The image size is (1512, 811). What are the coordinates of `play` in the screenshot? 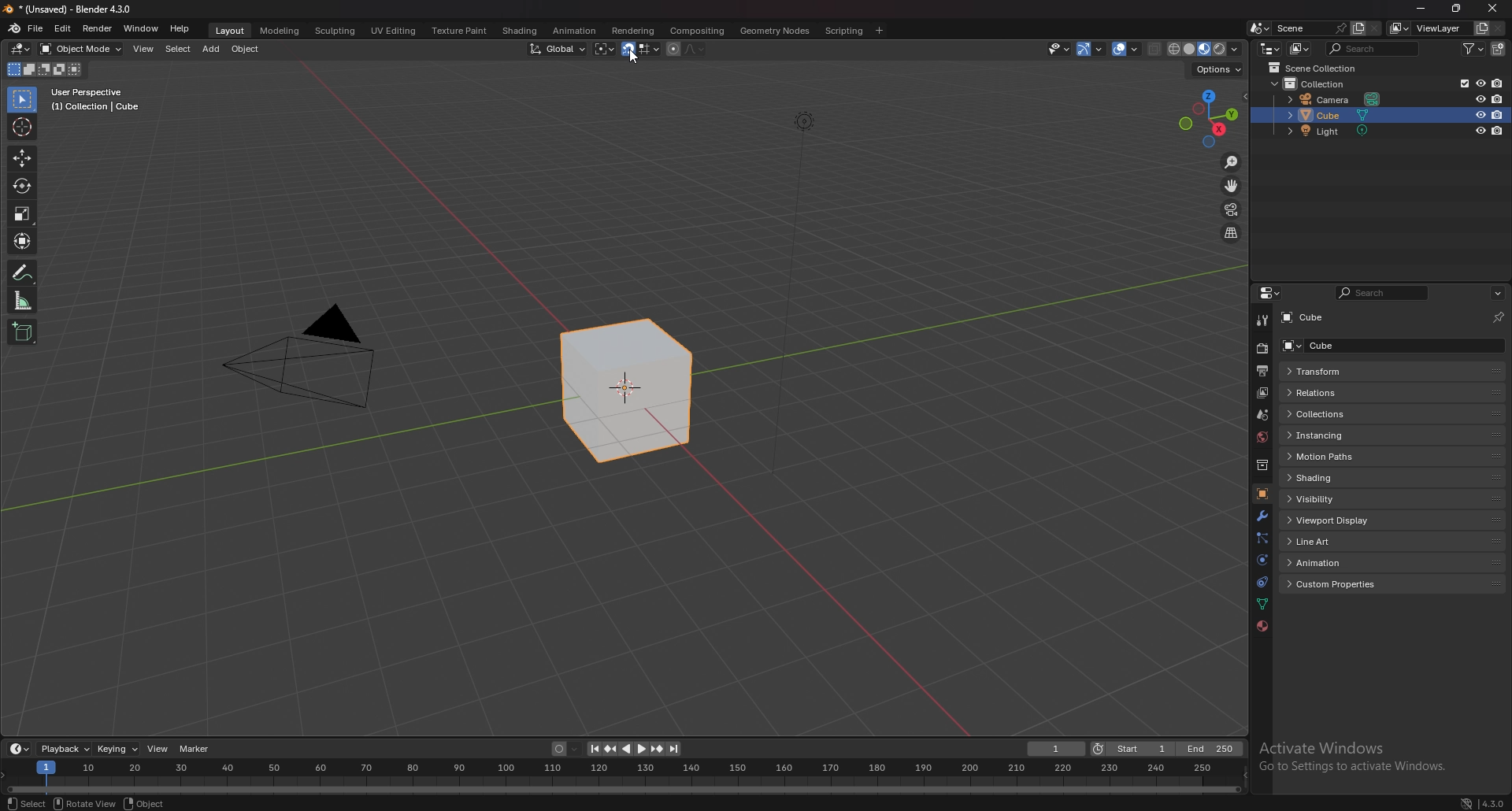 It's located at (634, 749).